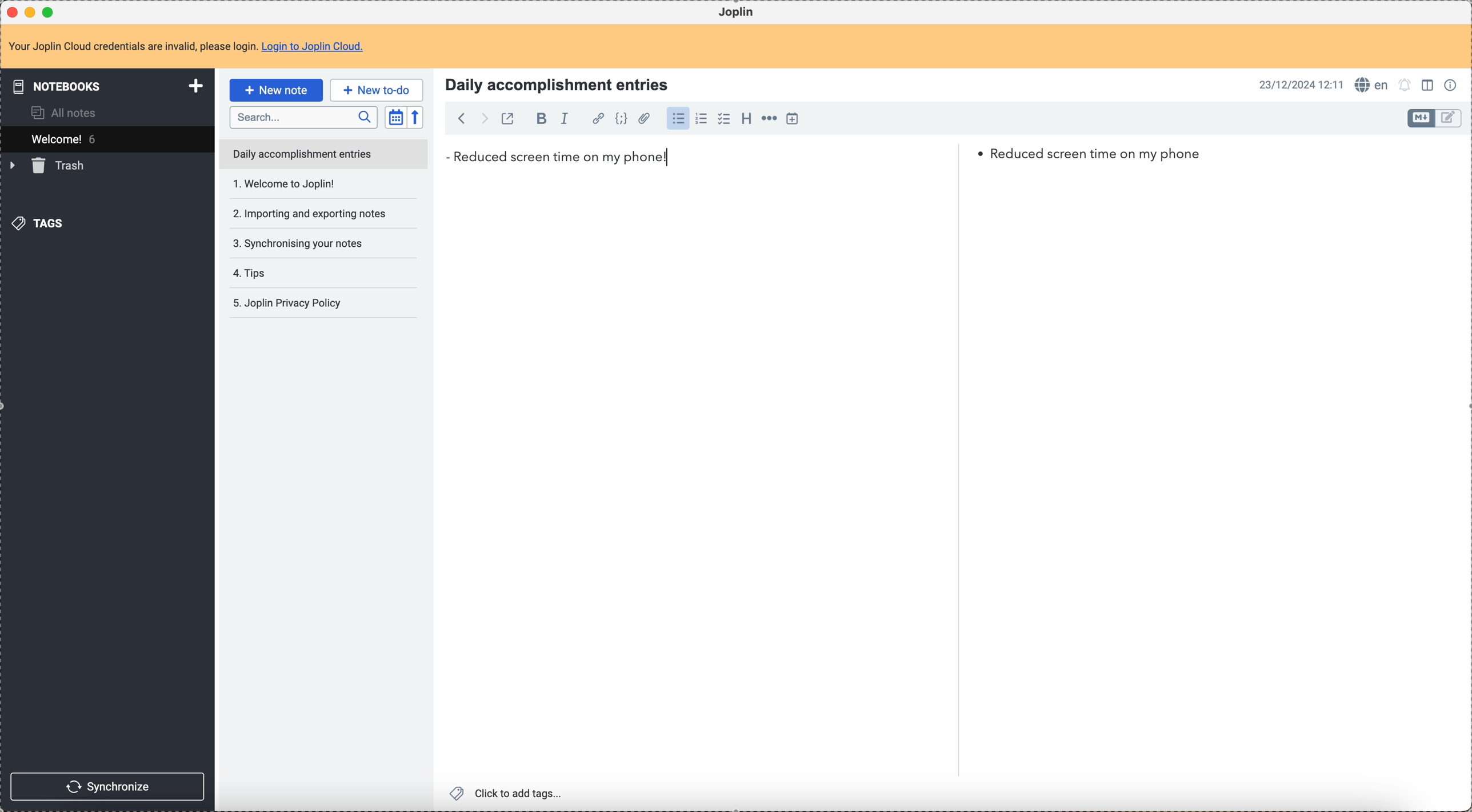 Image resolution: width=1472 pixels, height=812 pixels. I want to click on italic, so click(570, 119).